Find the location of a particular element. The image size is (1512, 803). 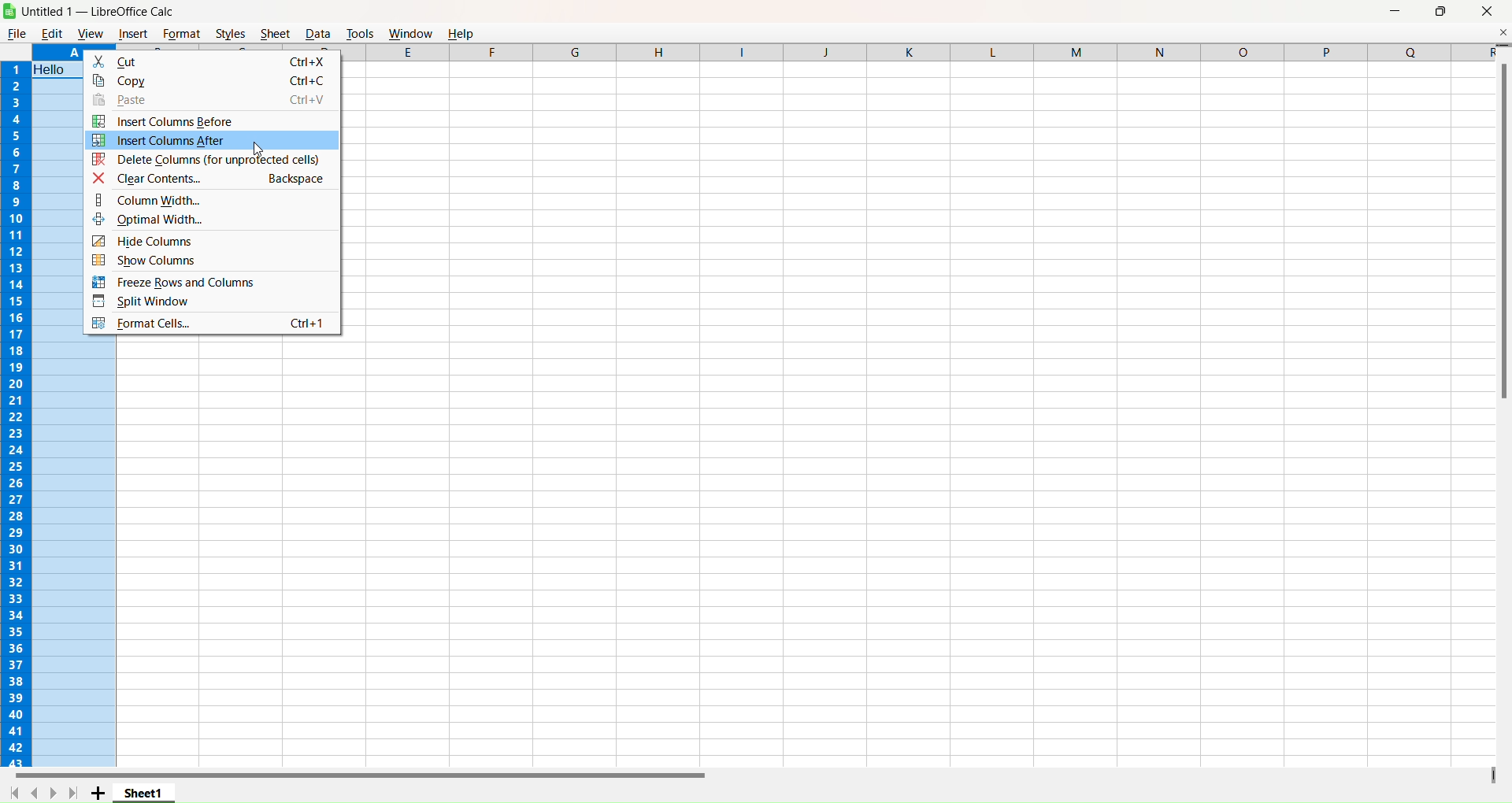

Logo is located at coordinates (9, 11).